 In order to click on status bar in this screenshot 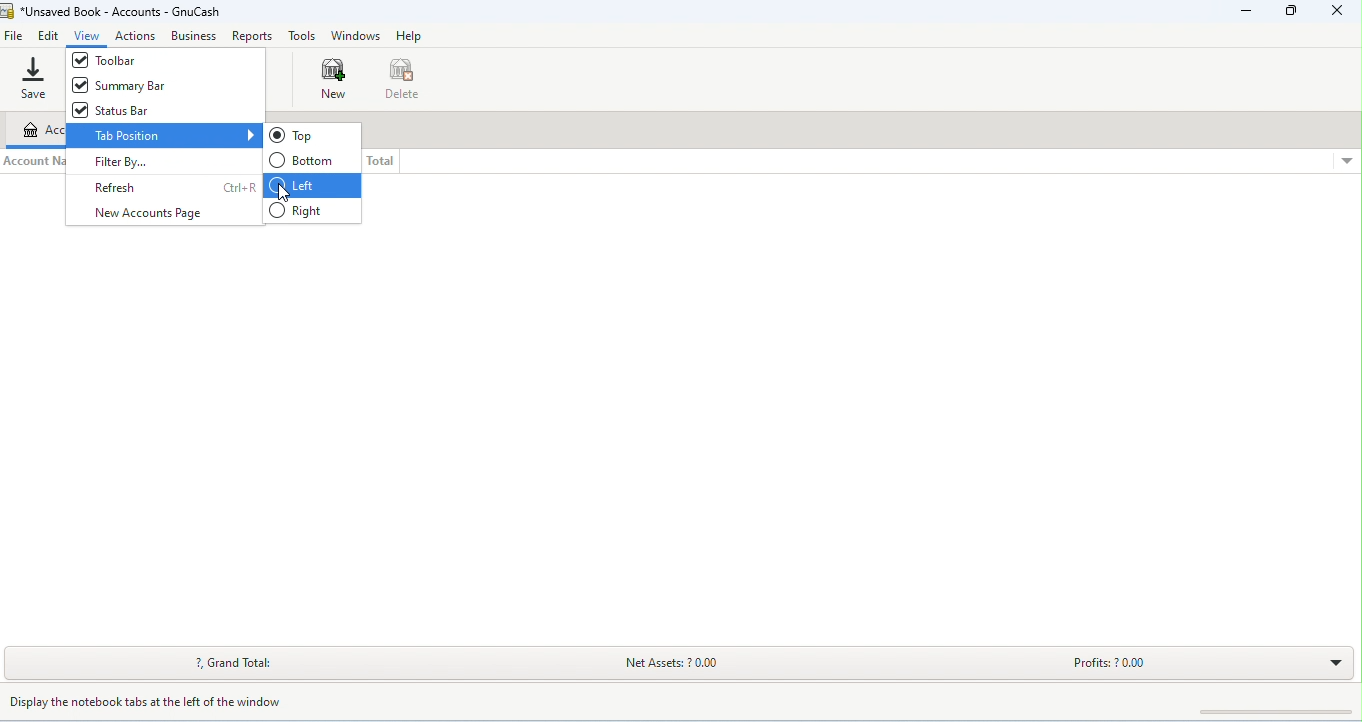, I will do `click(145, 109)`.